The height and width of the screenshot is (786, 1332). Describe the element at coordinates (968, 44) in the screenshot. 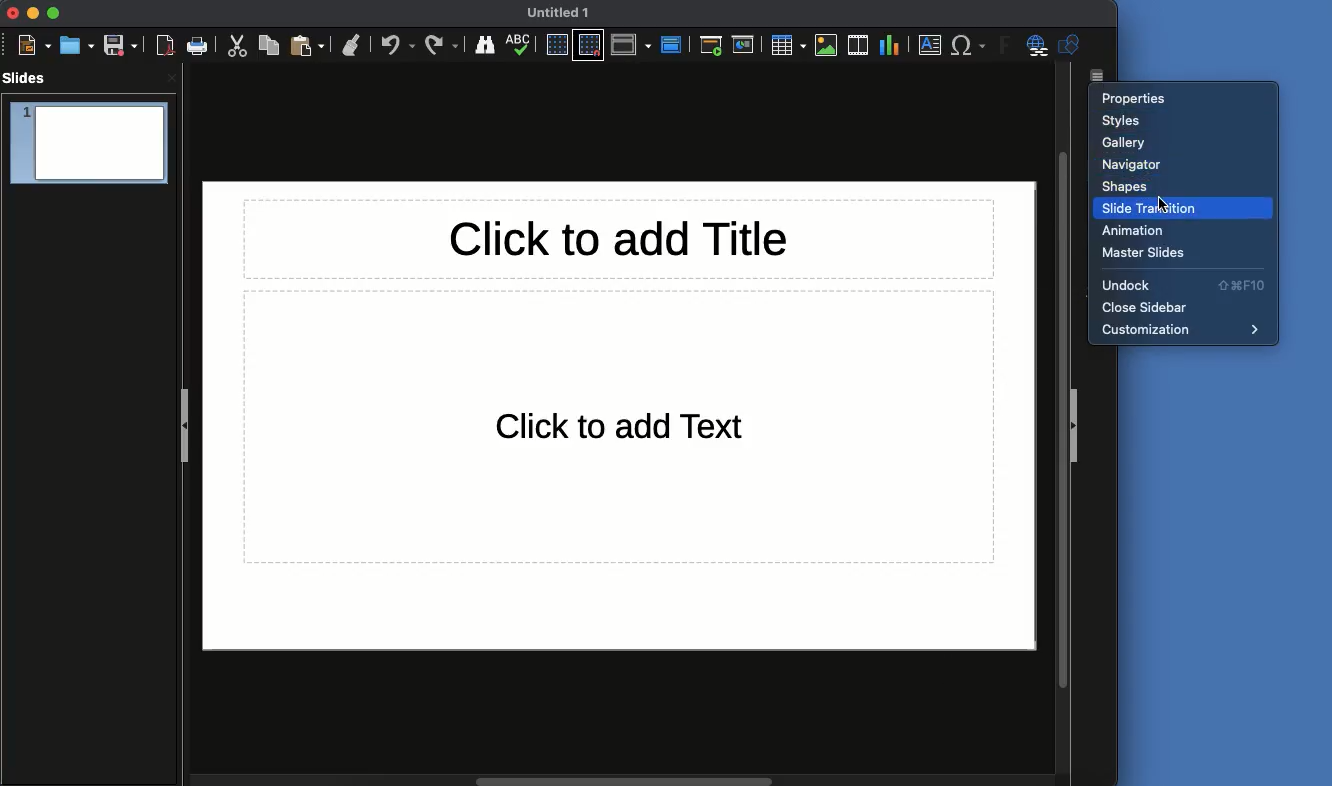

I see `Special characters` at that location.